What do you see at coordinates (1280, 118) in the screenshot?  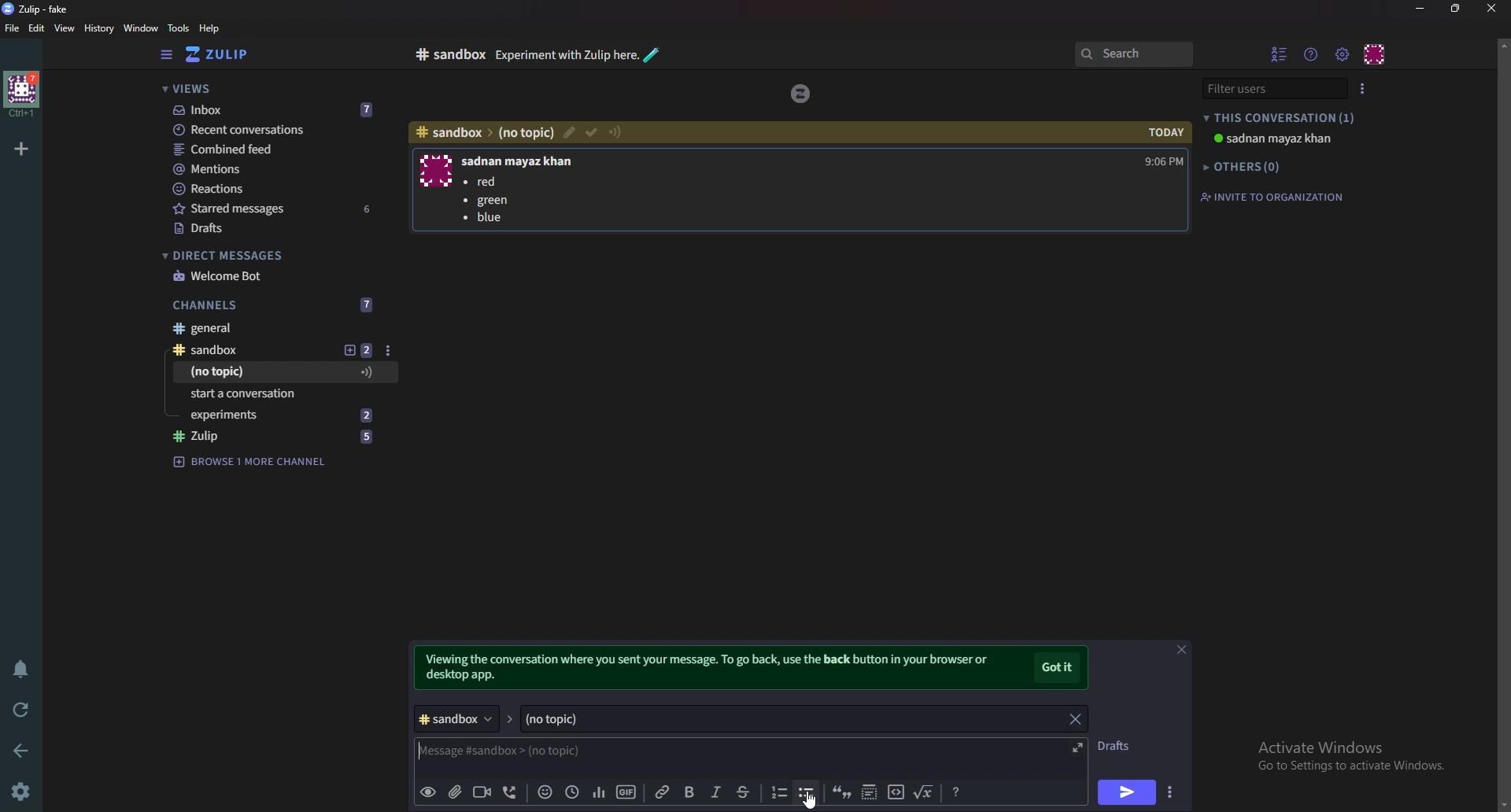 I see `This conversation` at bounding box center [1280, 118].